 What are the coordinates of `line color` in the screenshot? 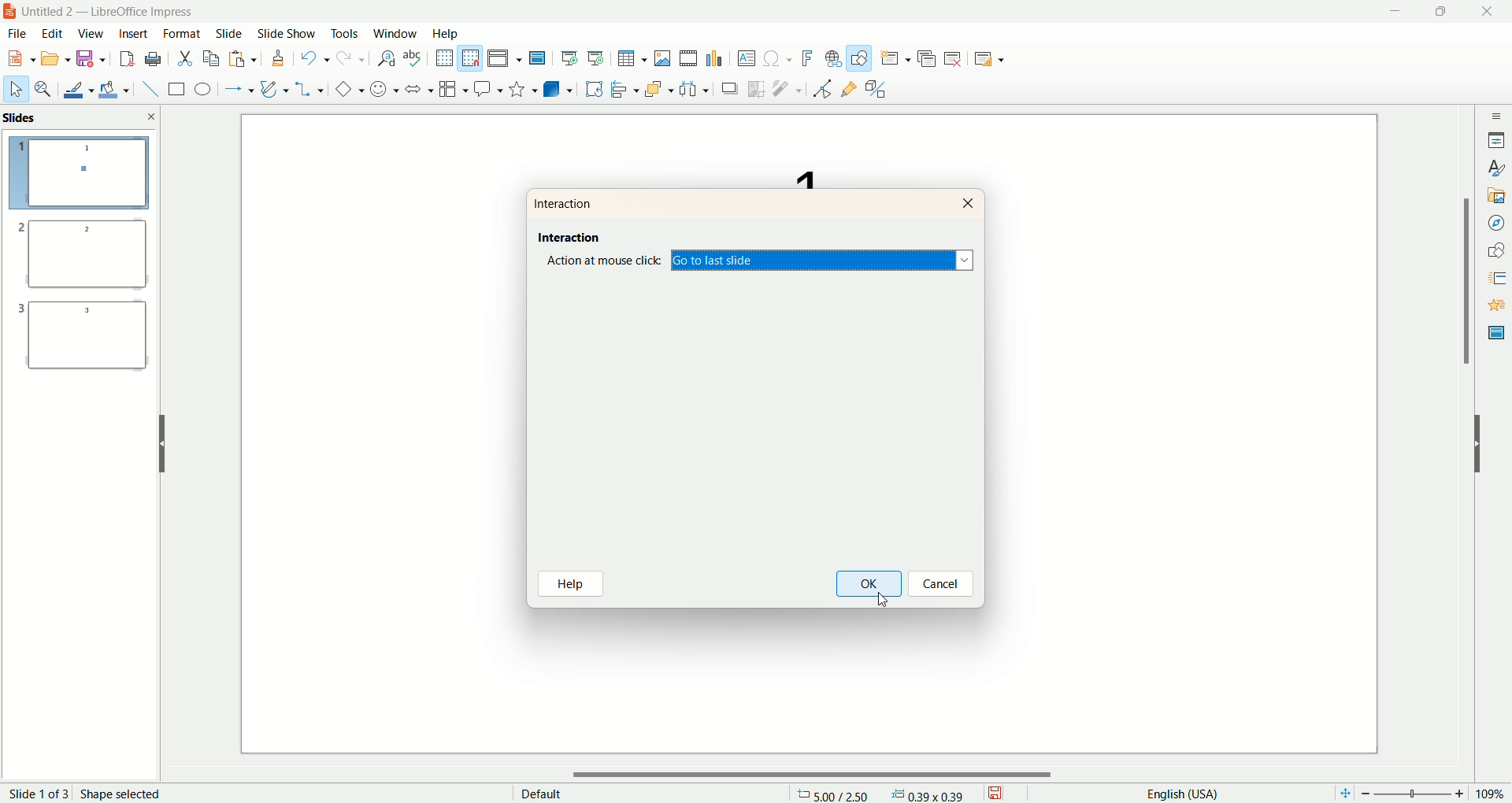 It's located at (75, 89).